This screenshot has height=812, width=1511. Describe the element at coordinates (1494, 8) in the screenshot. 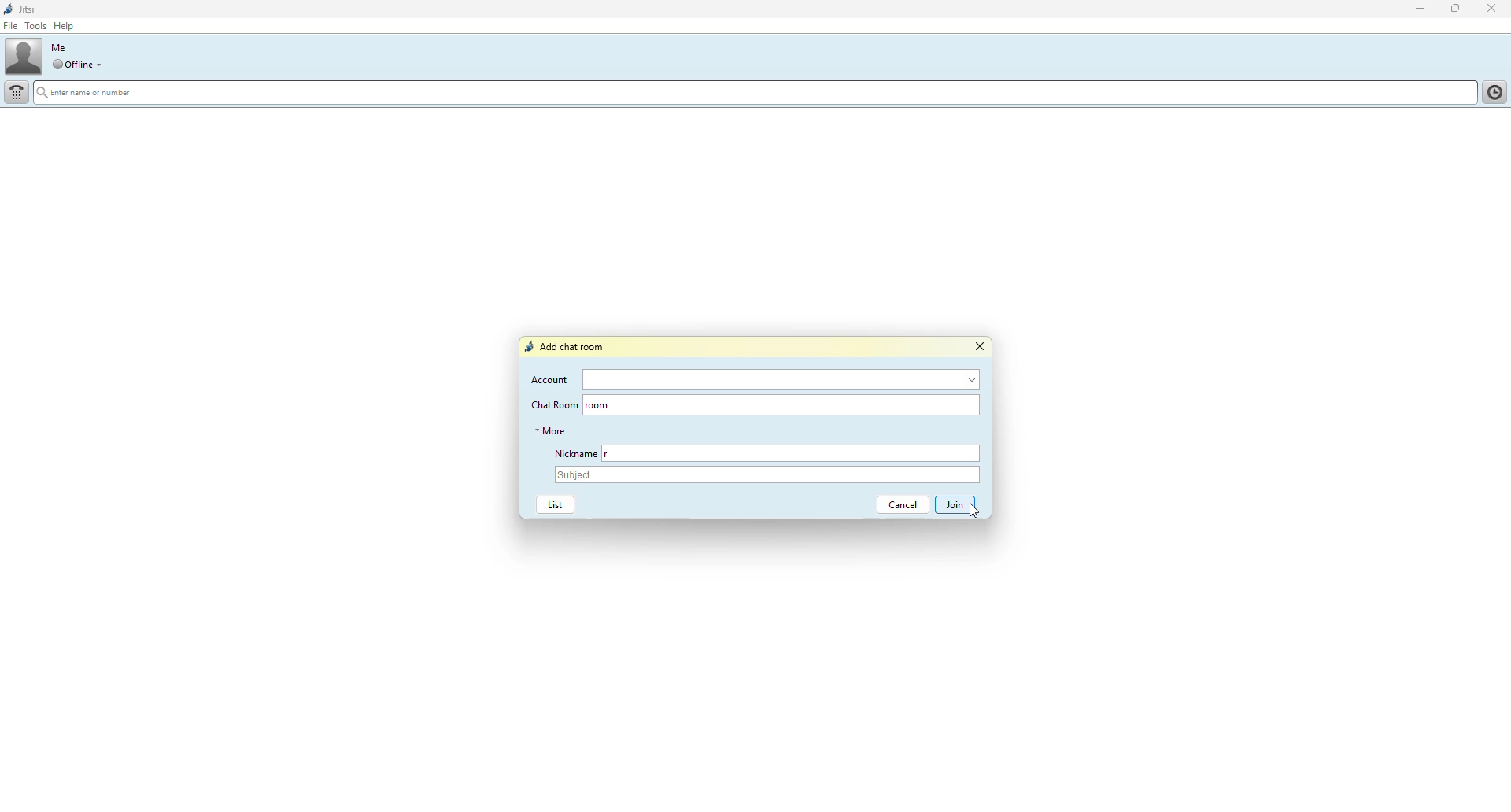

I see `close` at that location.